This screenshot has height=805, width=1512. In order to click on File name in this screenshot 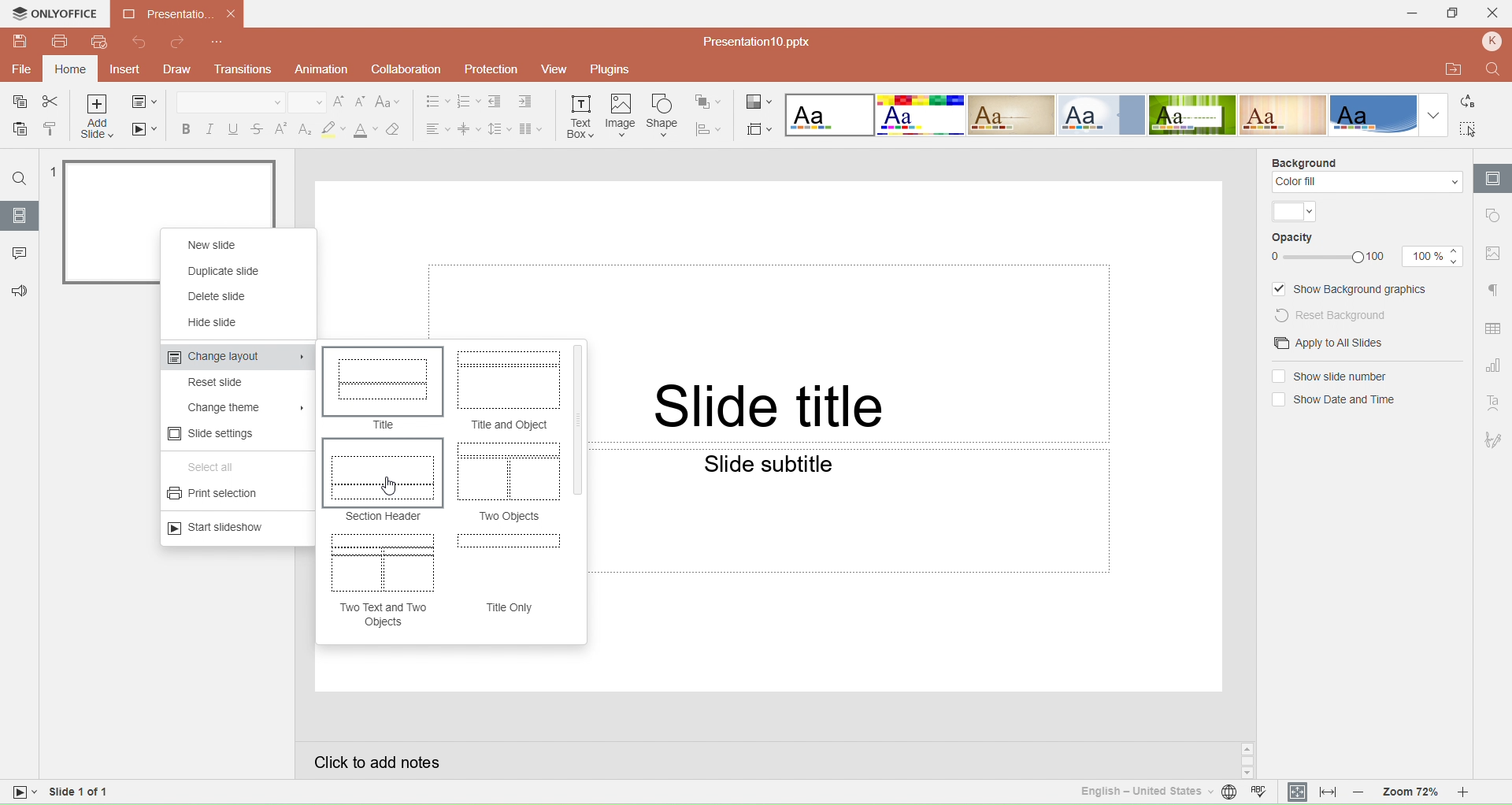, I will do `click(750, 41)`.